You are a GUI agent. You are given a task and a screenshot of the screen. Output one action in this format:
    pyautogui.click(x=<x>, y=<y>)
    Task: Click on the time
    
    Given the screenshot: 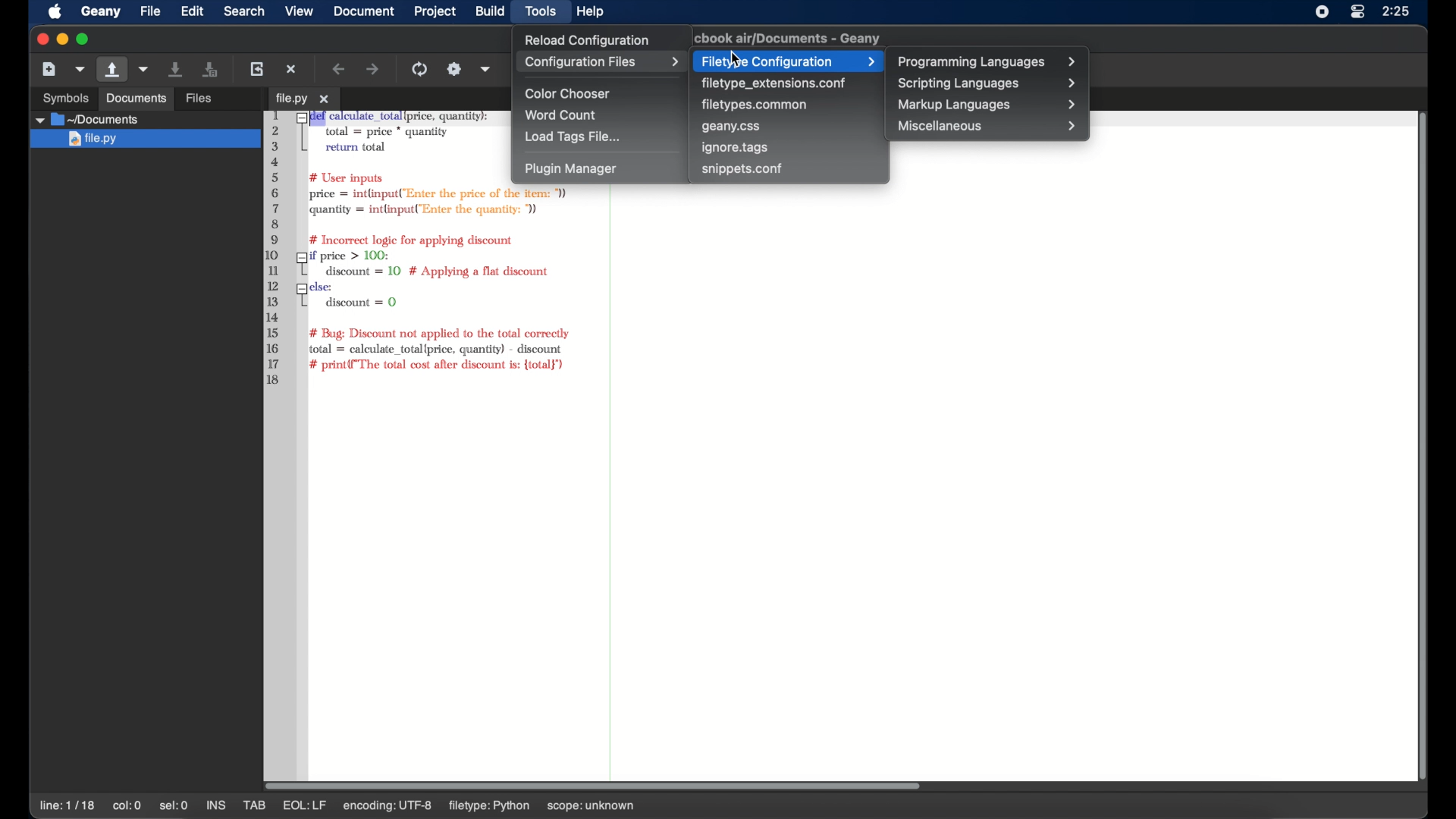 What is the action you would take?
    pyautogui.click(x=1398, y=11)
    